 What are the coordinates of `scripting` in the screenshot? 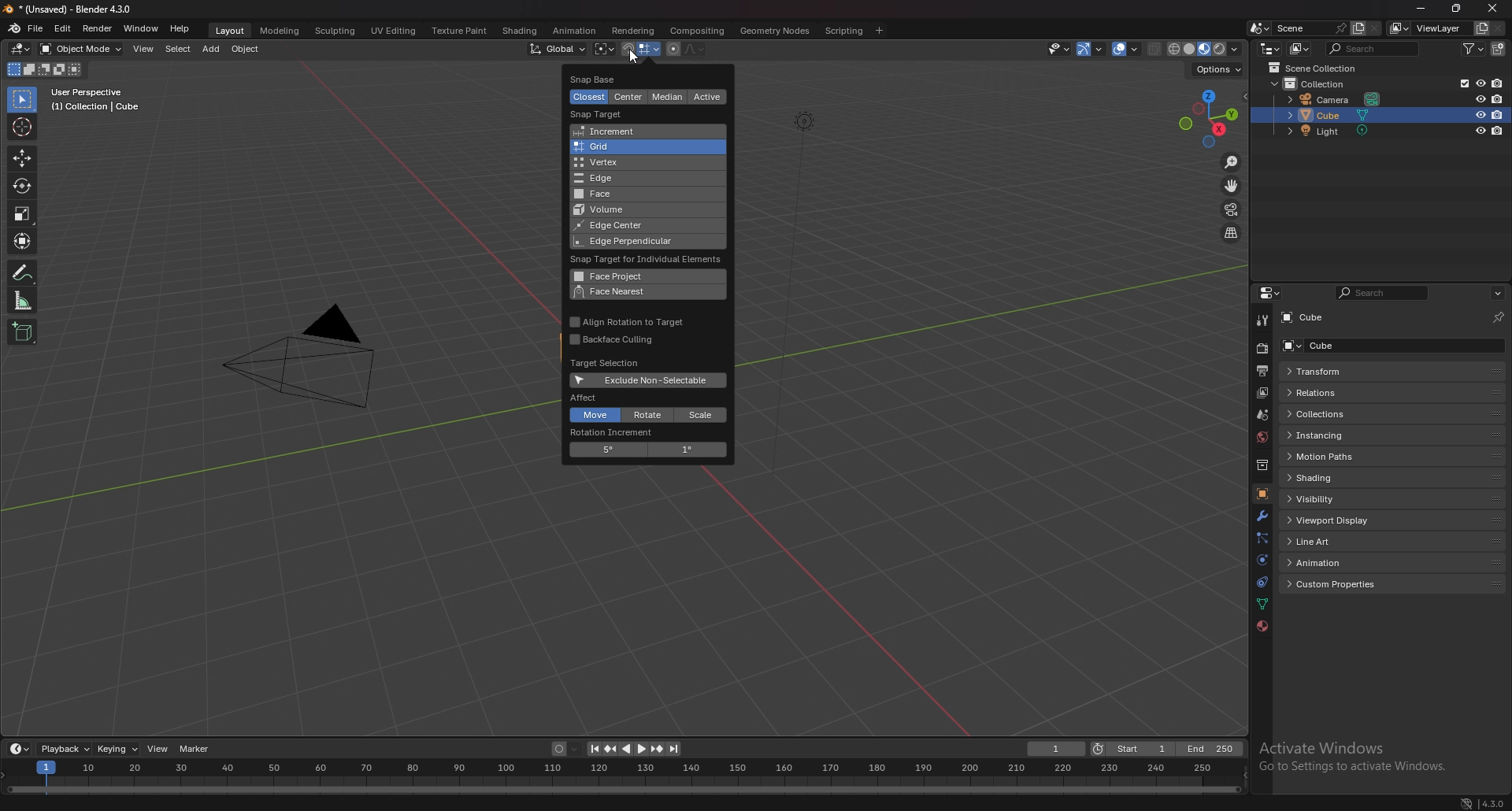 It's located at (844, 30).